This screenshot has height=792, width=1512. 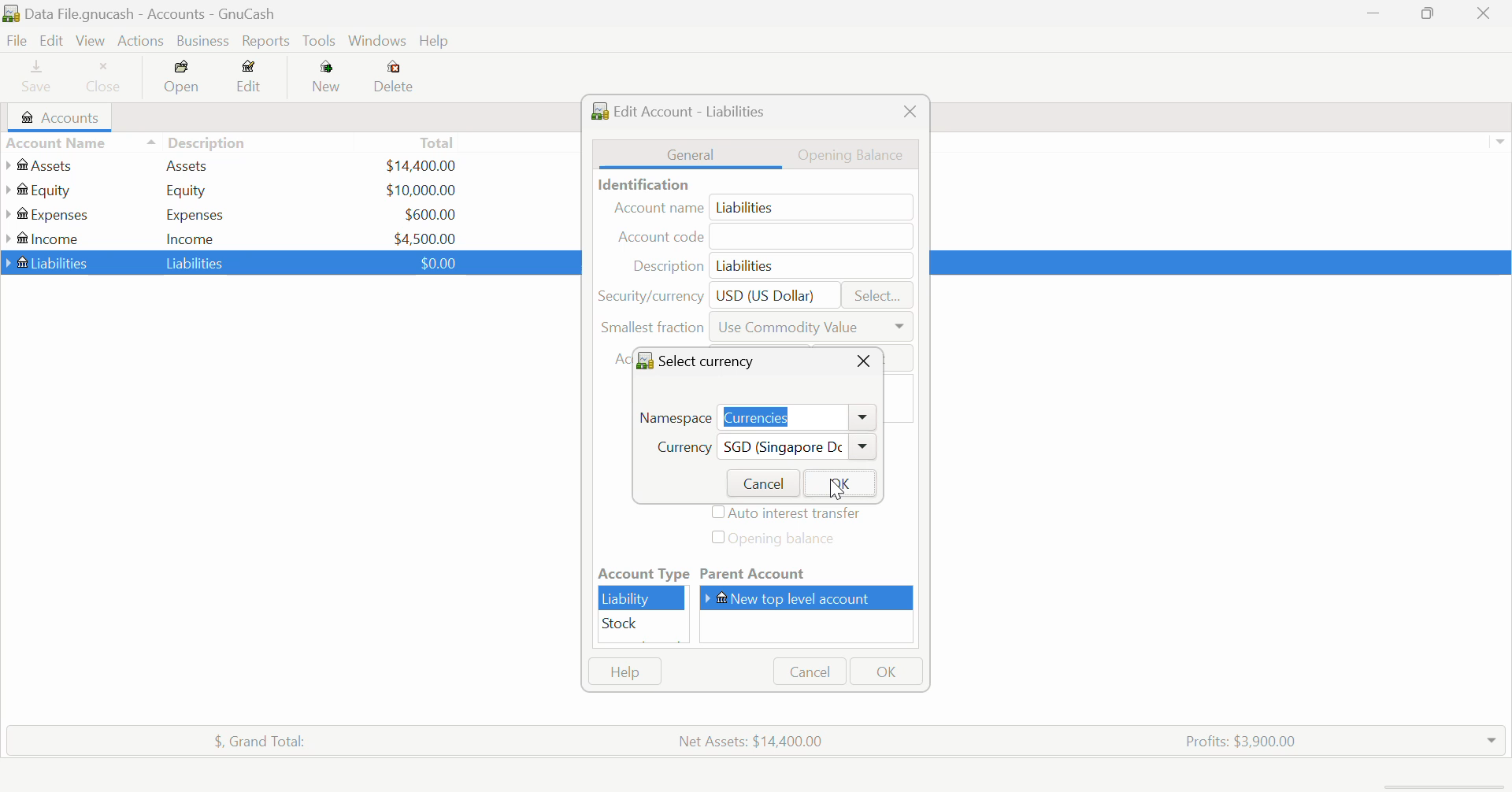 I want to click on USD, so click(x=430, y=214).